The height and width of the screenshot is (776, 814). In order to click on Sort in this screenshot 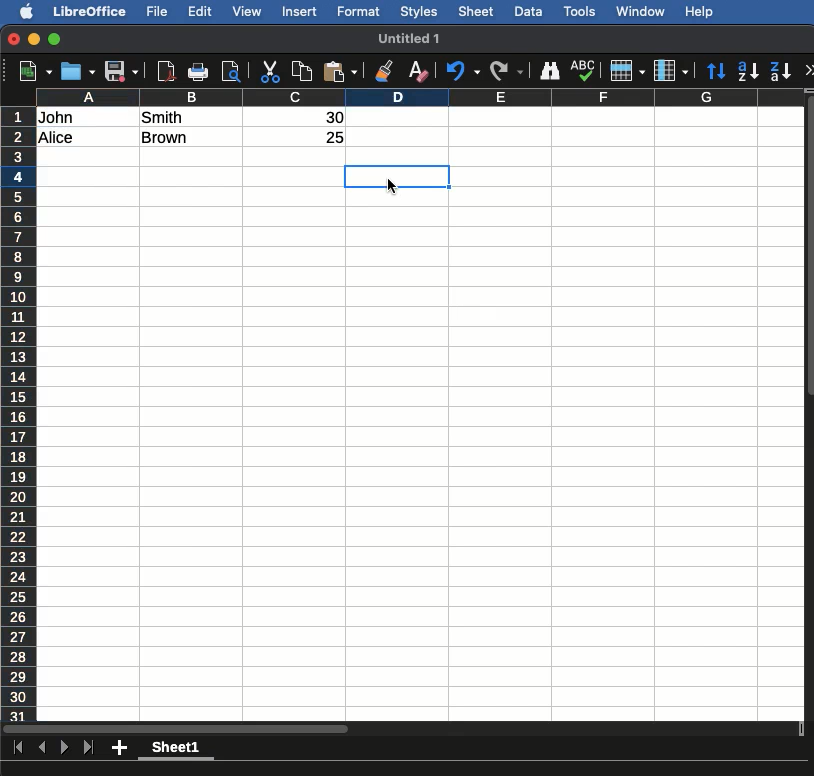, I will do `click(717, 71)`.